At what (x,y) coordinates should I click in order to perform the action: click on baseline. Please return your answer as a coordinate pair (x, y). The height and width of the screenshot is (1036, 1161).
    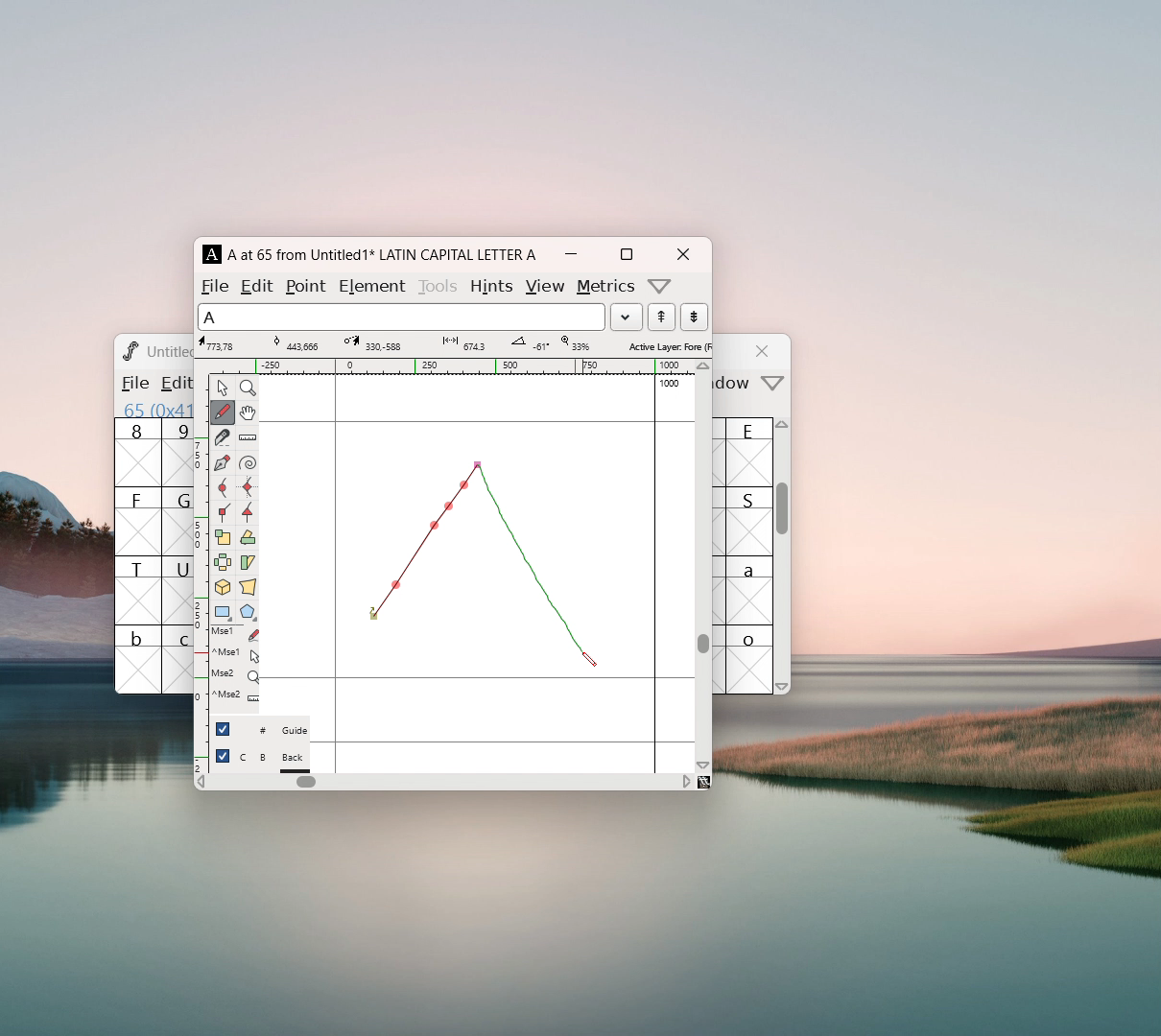
    Looking at the image, I should click on (478, 678).